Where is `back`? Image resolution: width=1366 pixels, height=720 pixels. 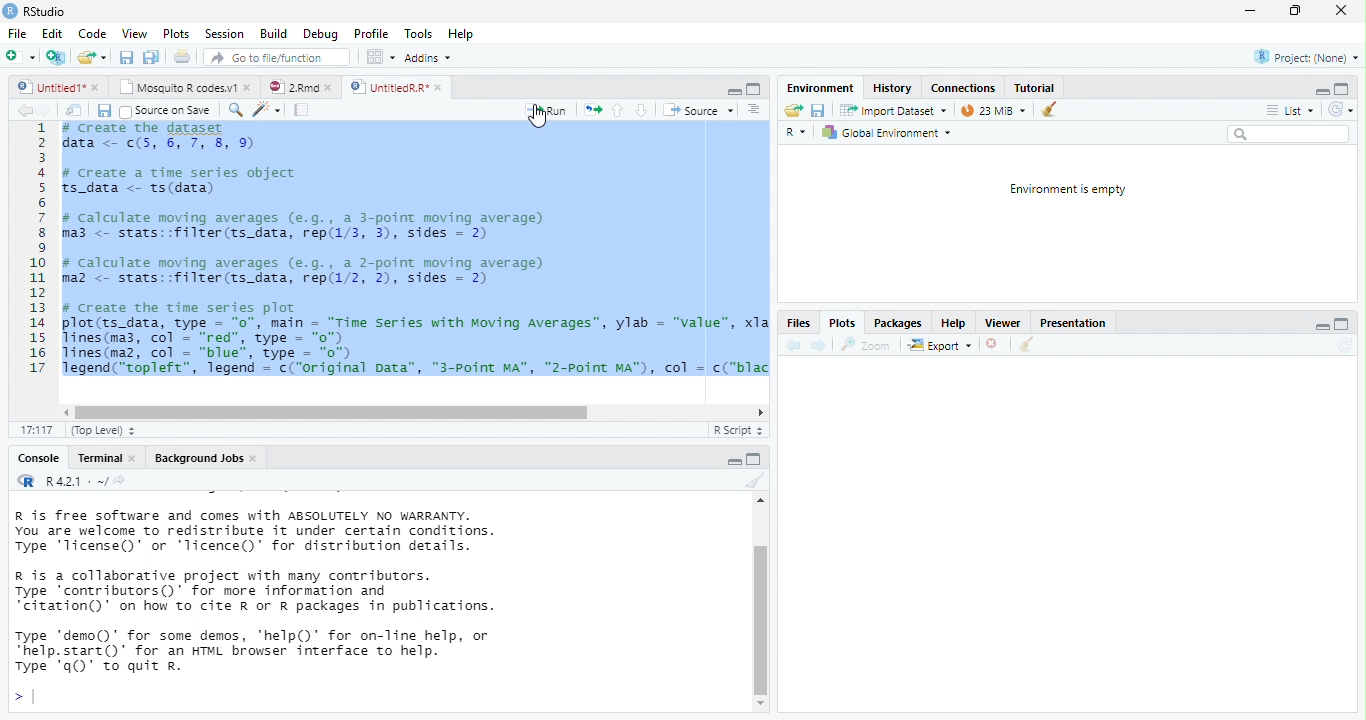
back is located at coordinates (791, 345).